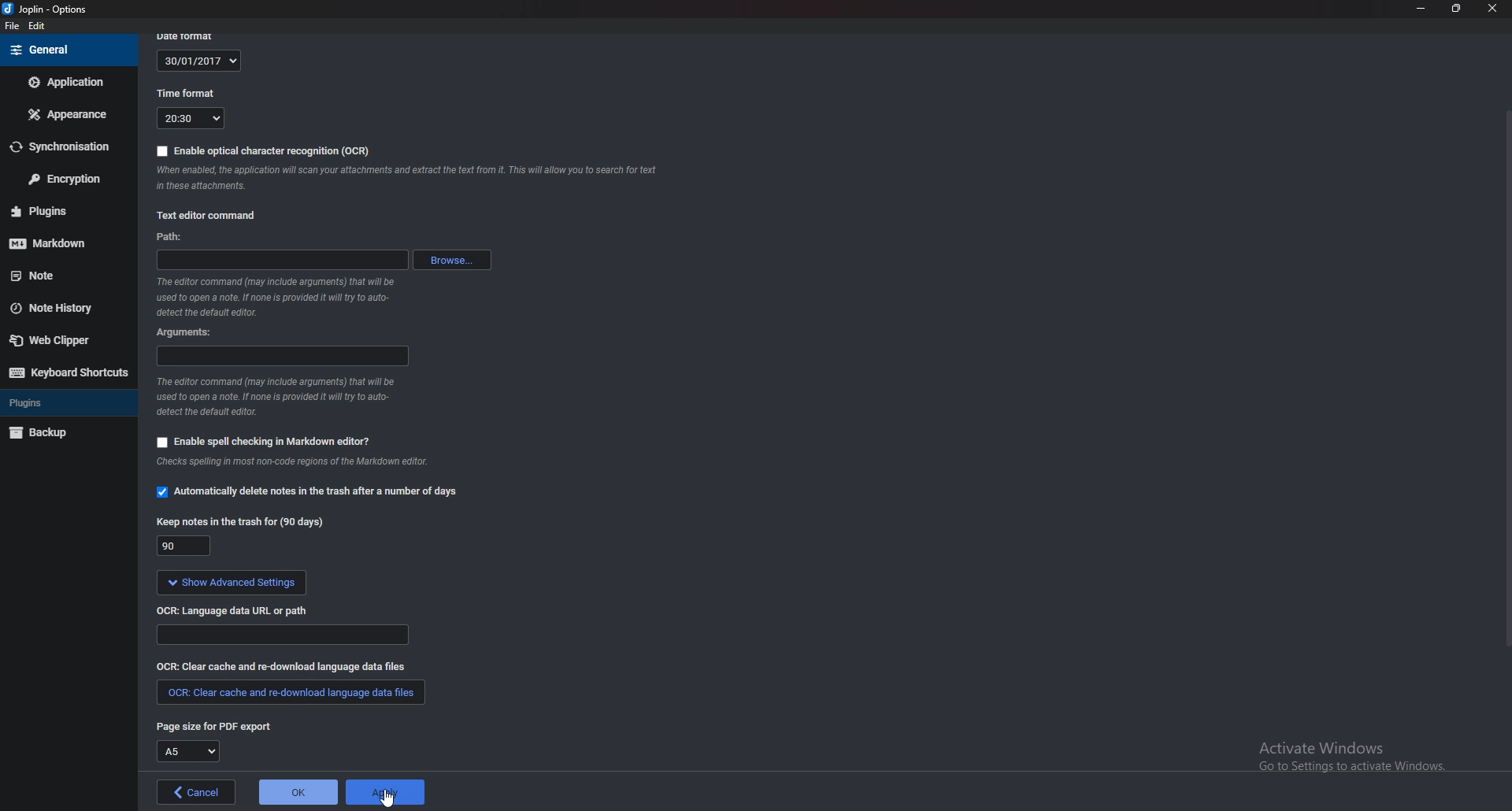 Image resolution: width=1512 pixels, height=811 pixels. What do you see at coordinates (287, 394) in the screenshot?
I see `Info on editor command` at bounding box center [287, 394].